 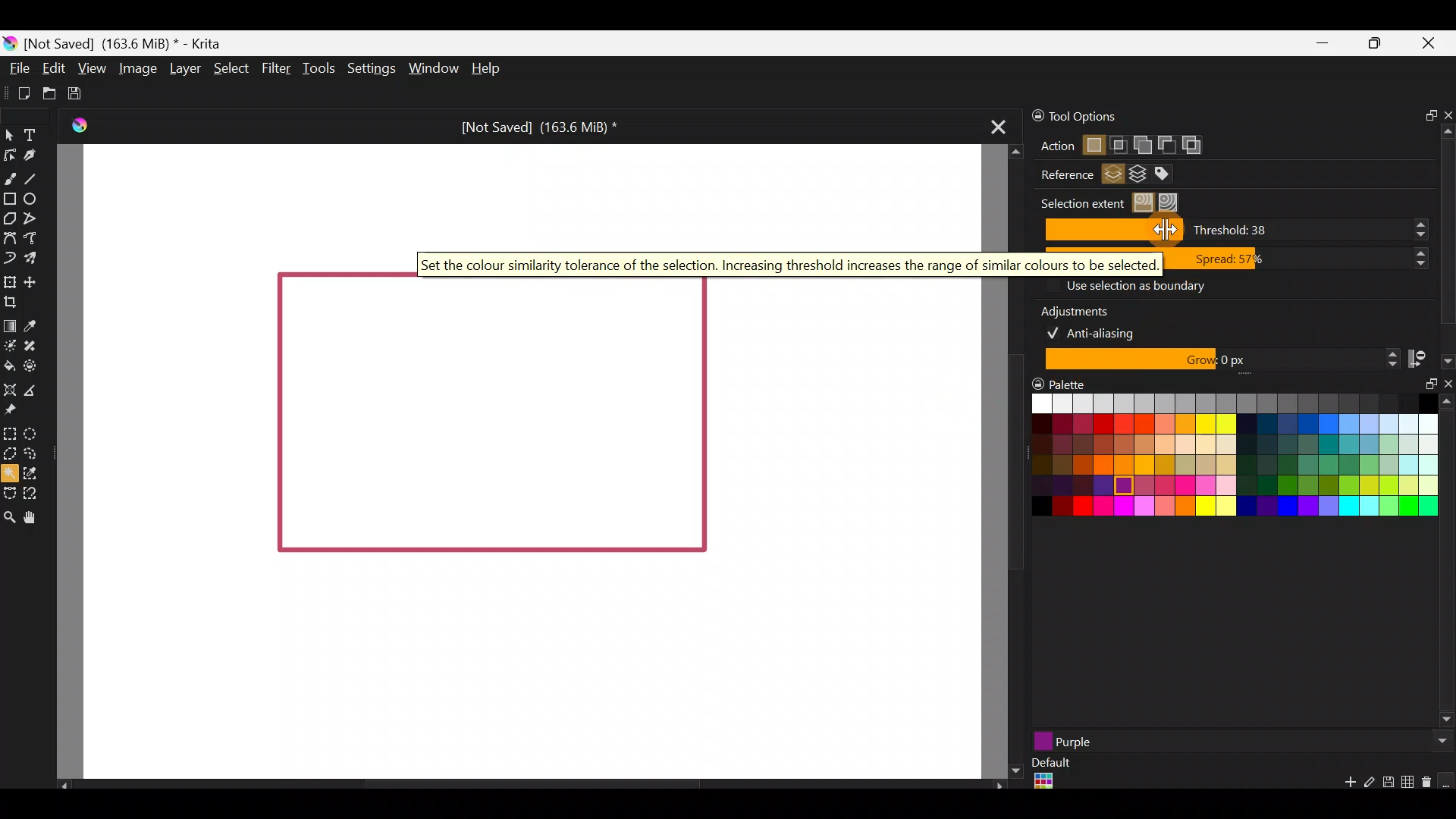 I want to click on File, so click(x=20, y=67).